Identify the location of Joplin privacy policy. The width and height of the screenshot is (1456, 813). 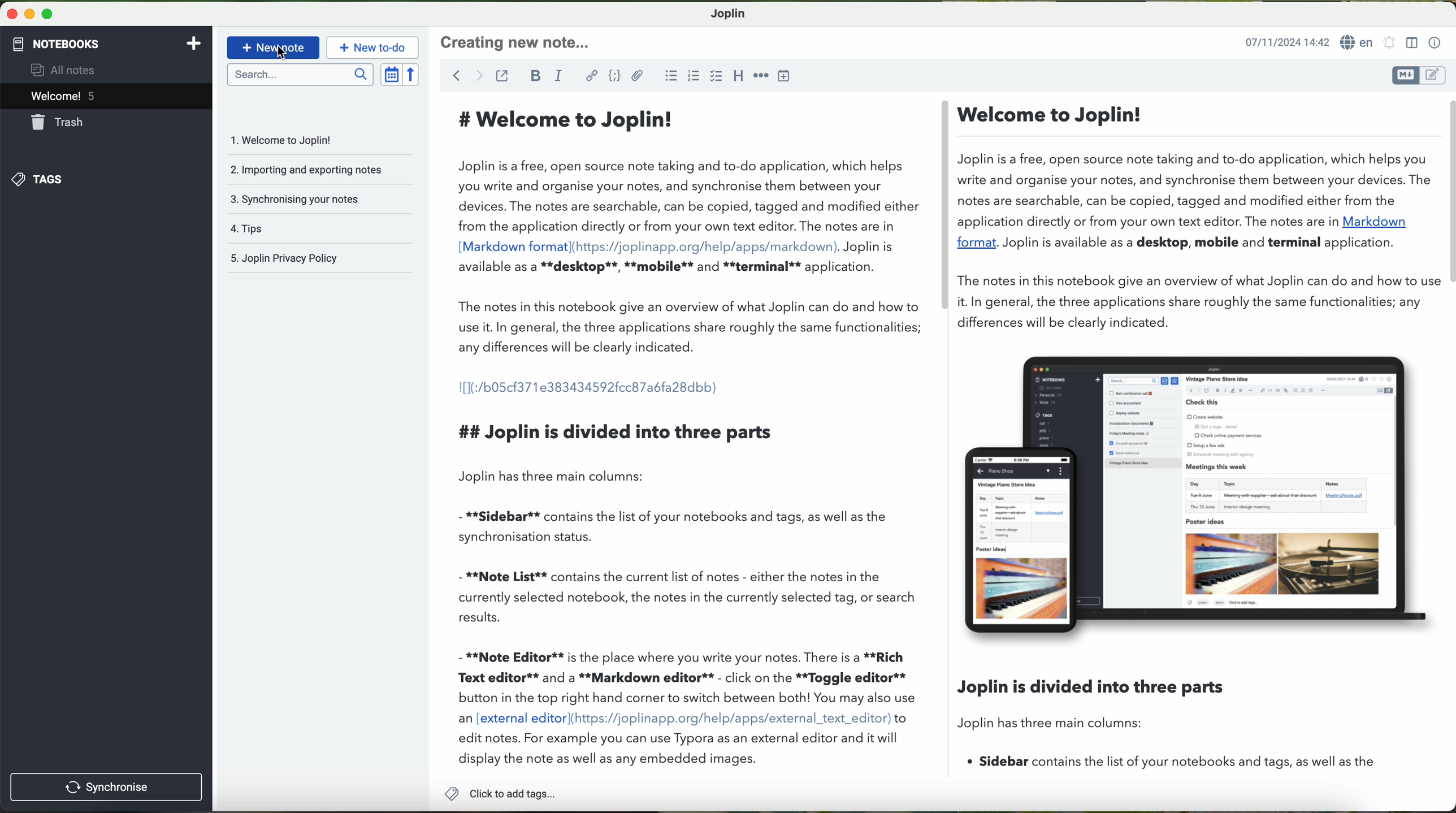
(315, 259).